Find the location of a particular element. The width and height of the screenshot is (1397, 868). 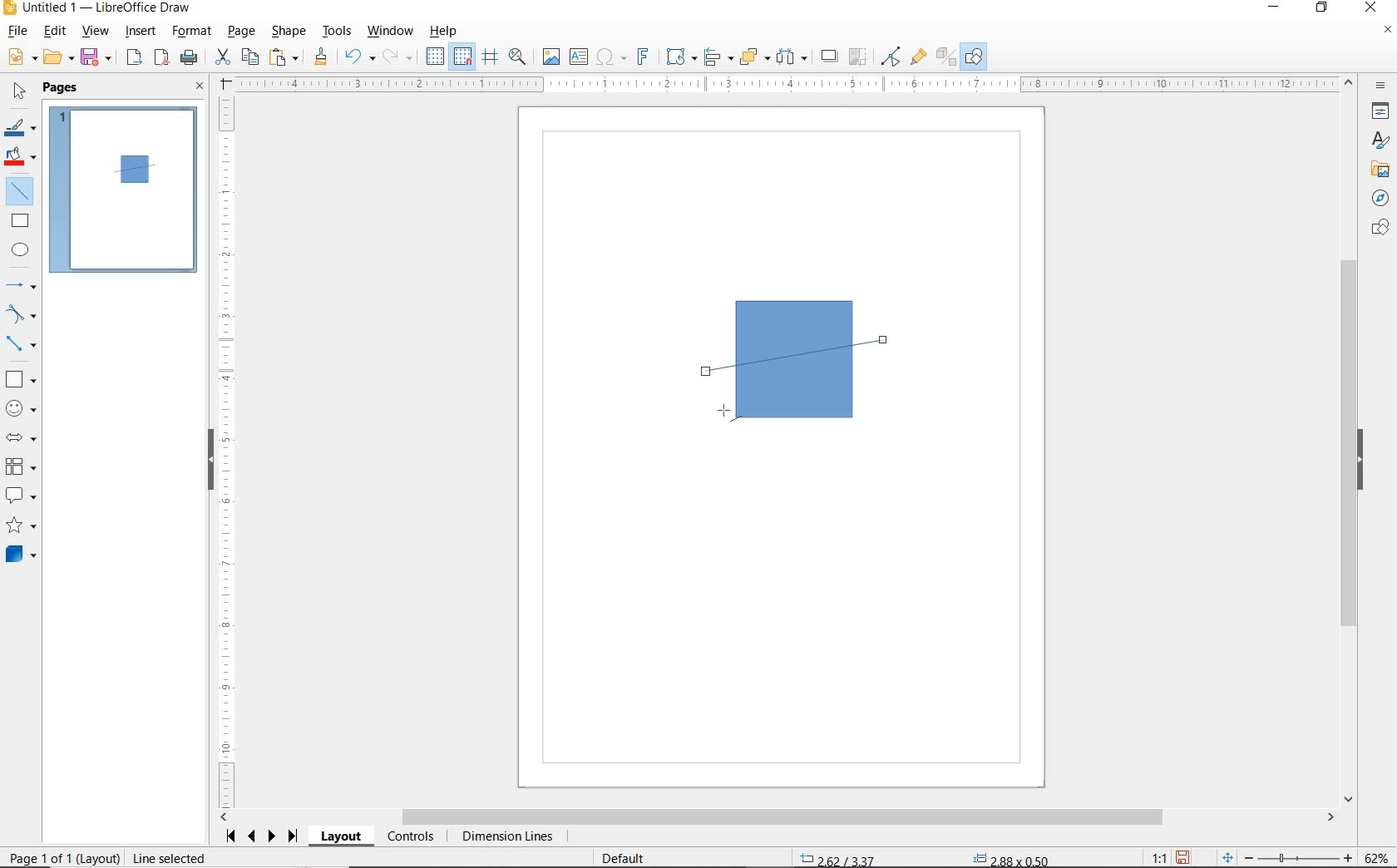

ELLIPSE is located at coordinates (22, 249).